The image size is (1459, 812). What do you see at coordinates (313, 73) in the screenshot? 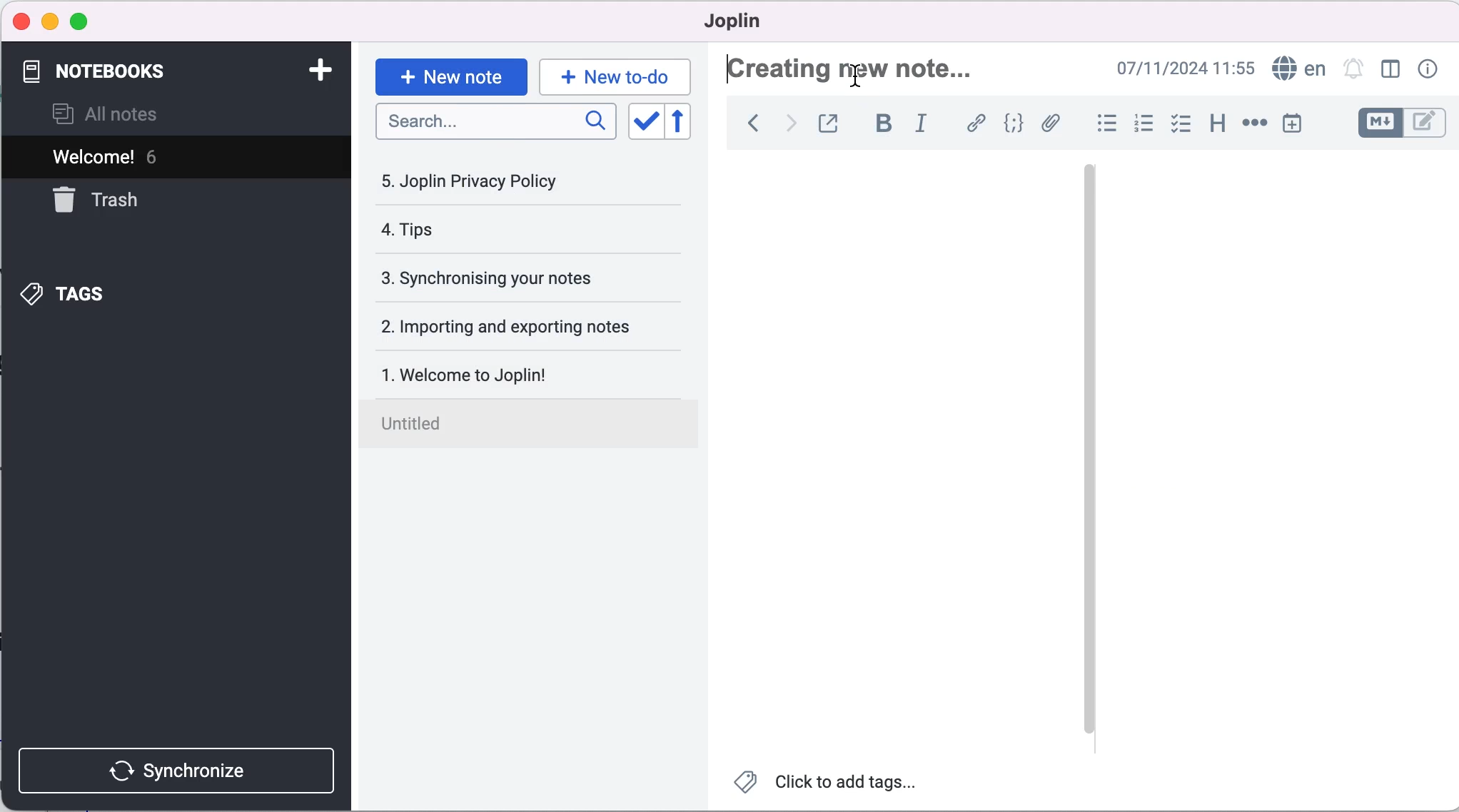
I see `add notebook` at bounding box center [313, 73].